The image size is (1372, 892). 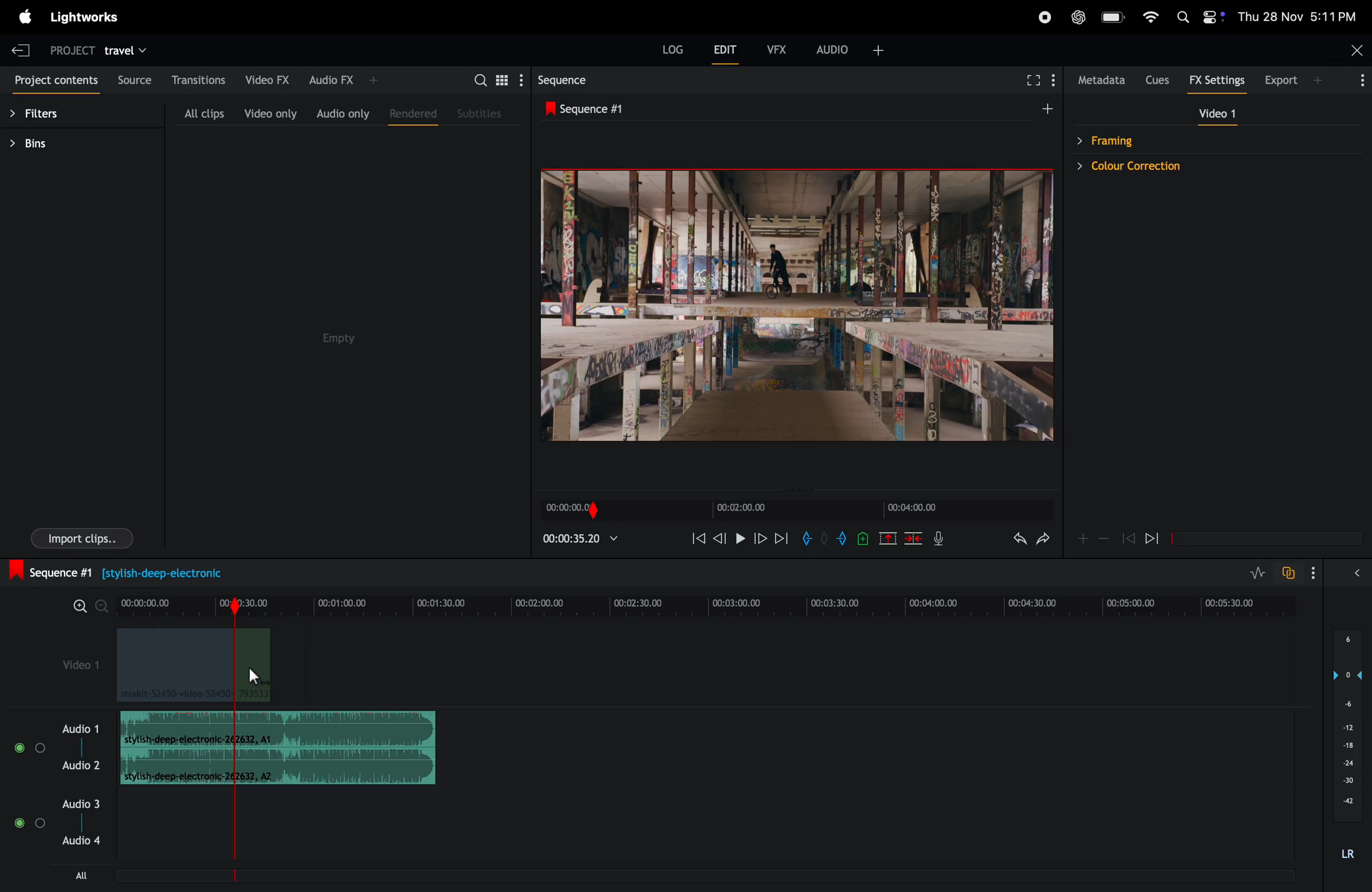 I want to click on add in mark, so click(x=809, y=539).